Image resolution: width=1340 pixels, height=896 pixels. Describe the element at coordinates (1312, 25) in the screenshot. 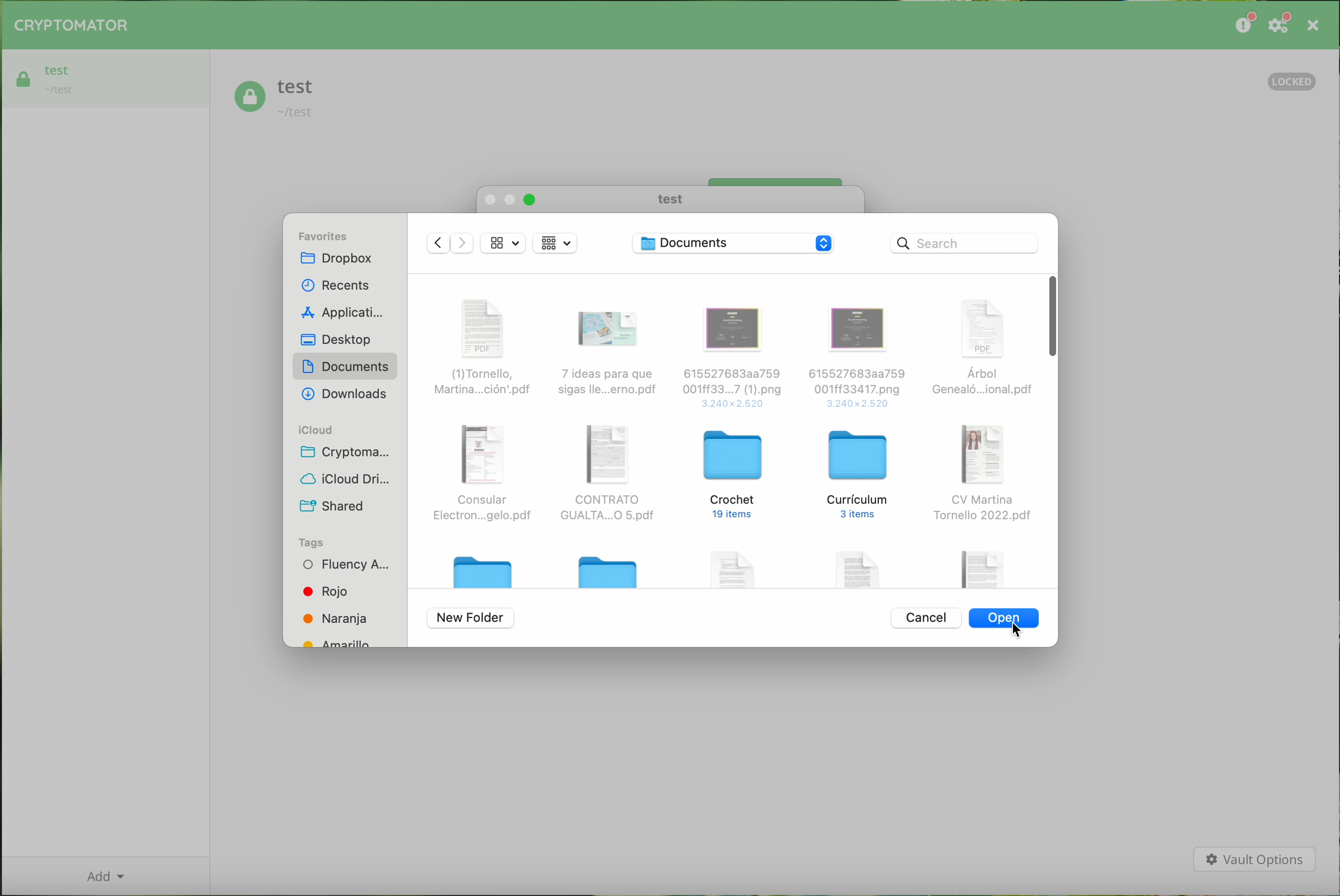

I see `close` at that location.